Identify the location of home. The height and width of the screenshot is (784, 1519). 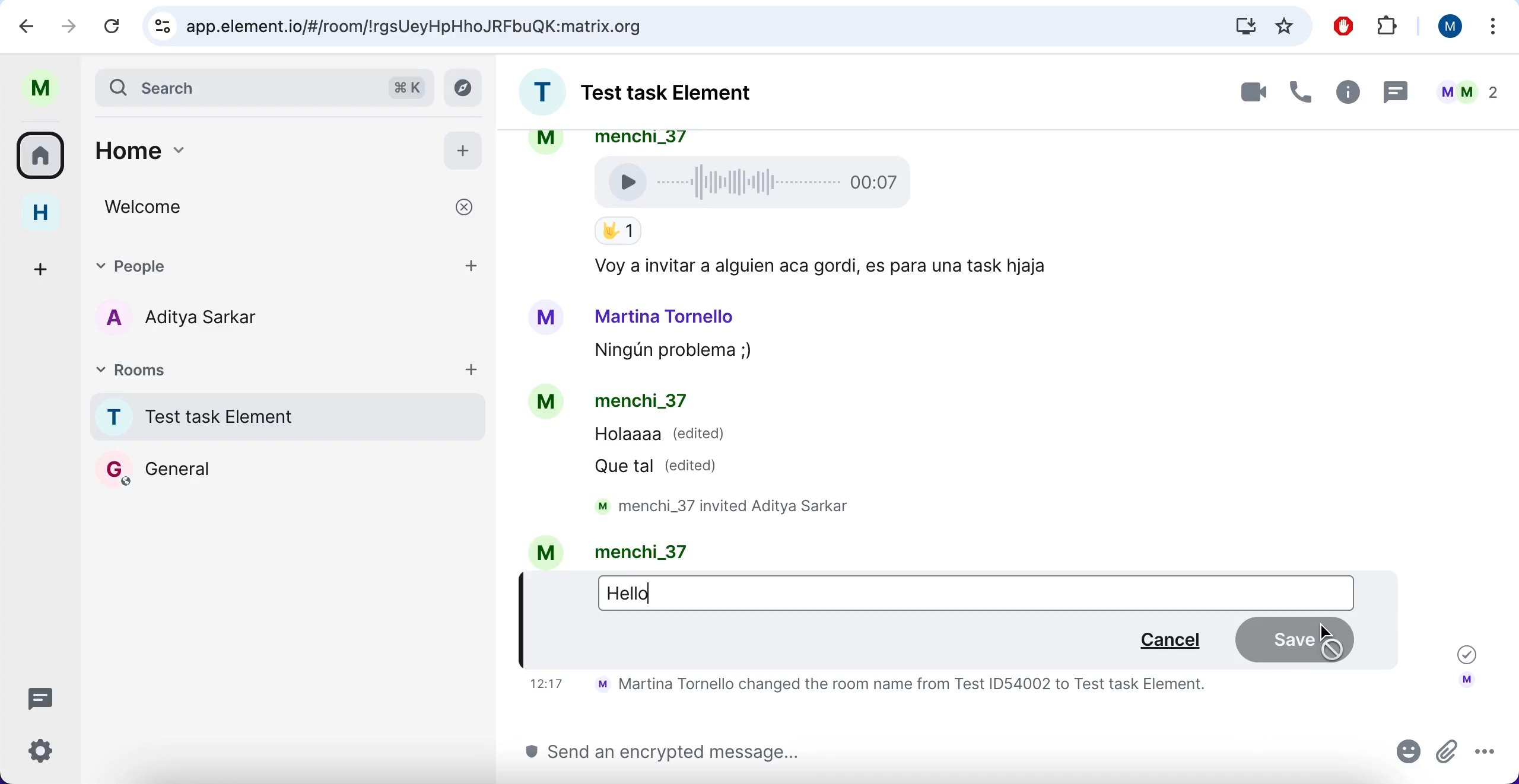
(253, 146).